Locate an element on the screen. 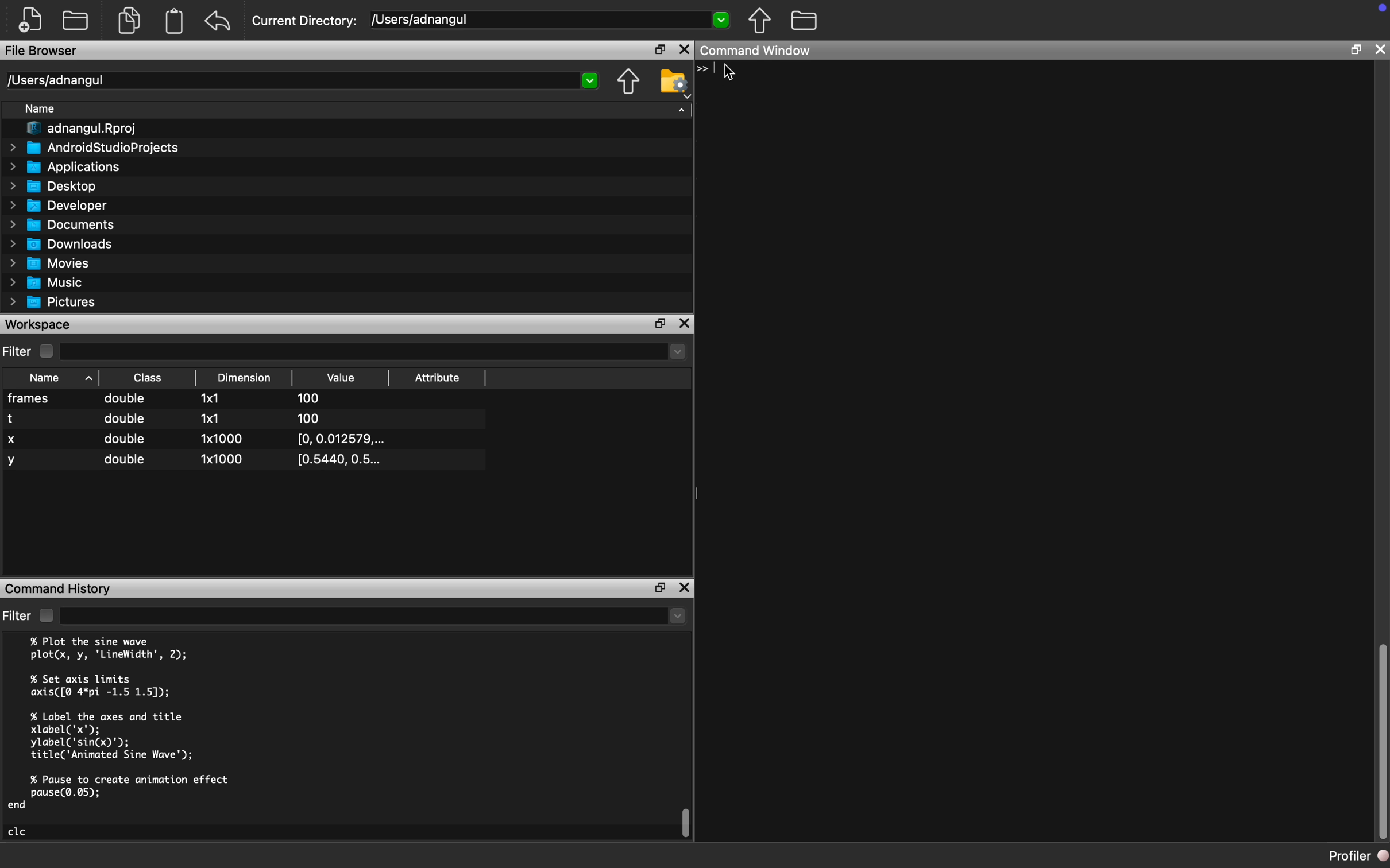 The width and height of the screenshot is (1390, 868). Name is located at coordinates (41, 108).